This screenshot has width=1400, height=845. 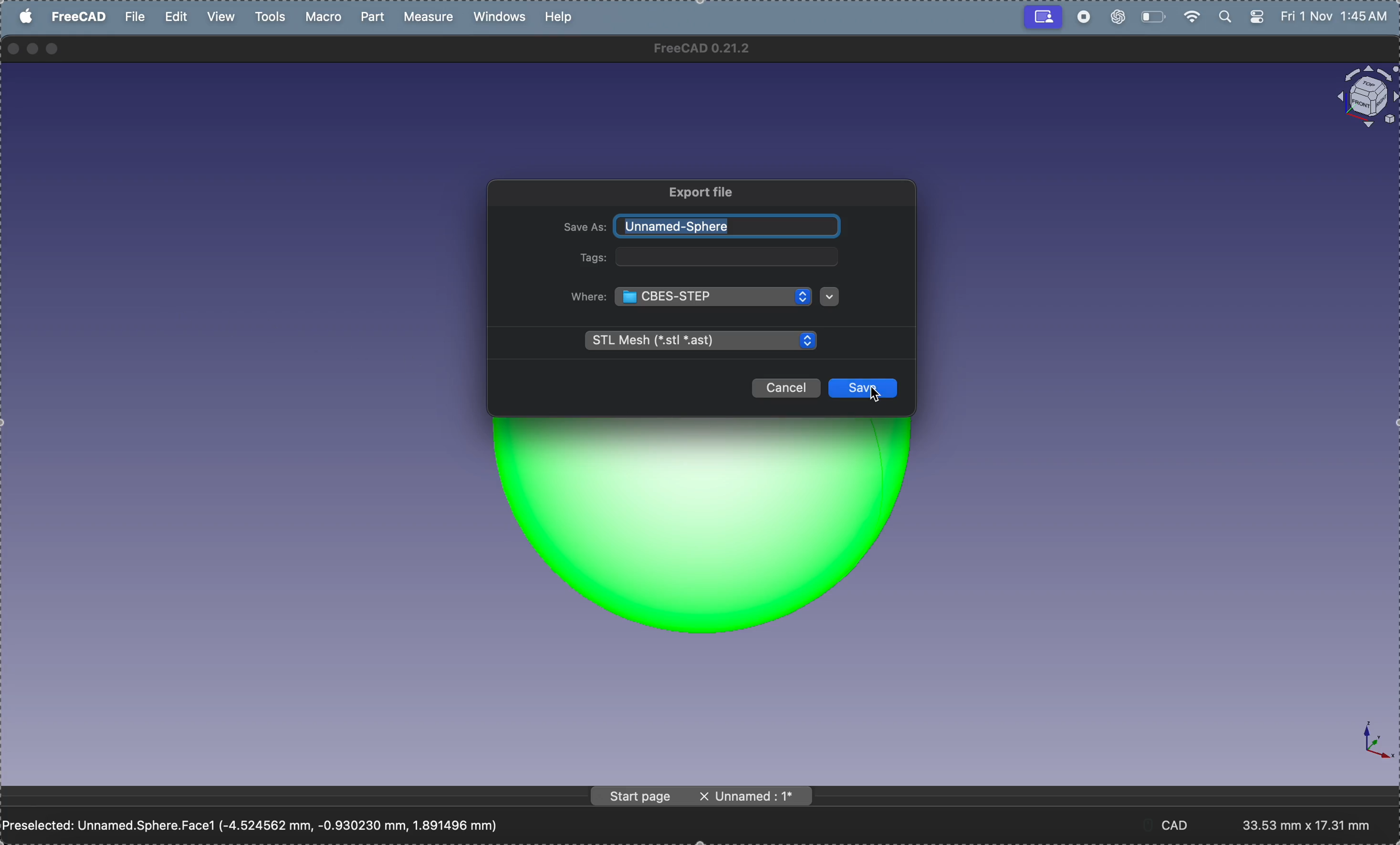 What do you see at coordinates (27, 15) in the screenshot?
I see `apple menu` at bounding box center [27, 15].